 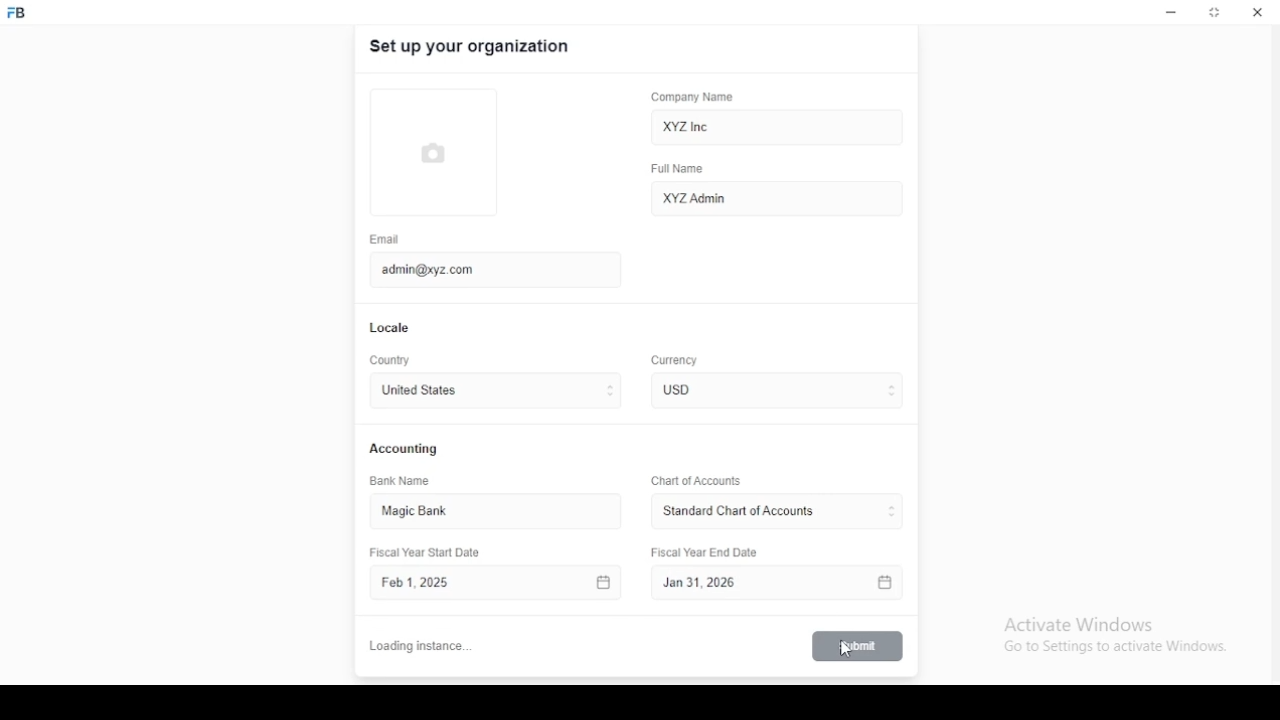 I want to click on set up your organization, so click(x=471, y=47).